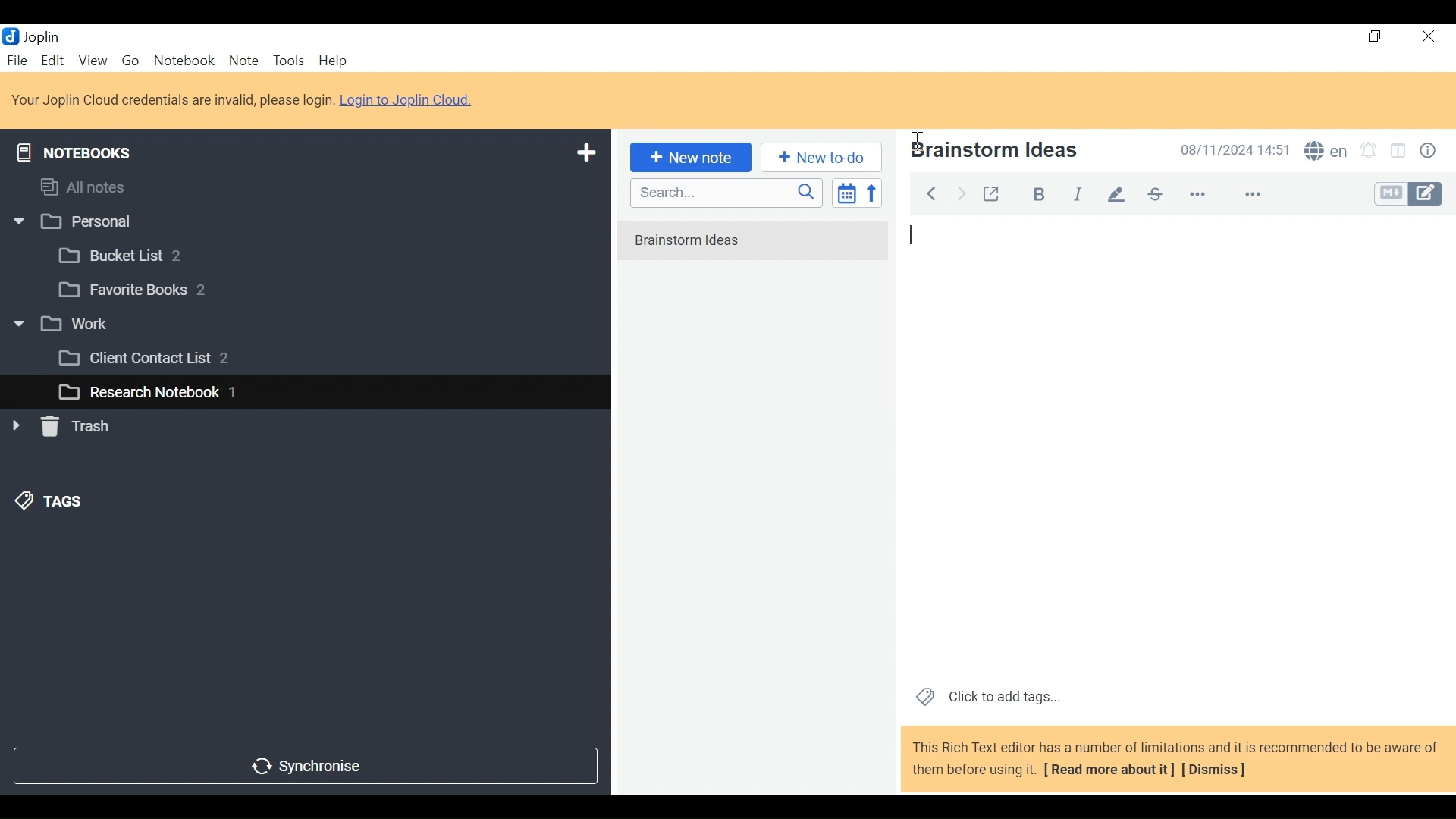 The image size is (1456, 819). What do you see at coordinates (821, 158) in the screenshot?
I see `Add New to Do` at bounding box center [821, 158].